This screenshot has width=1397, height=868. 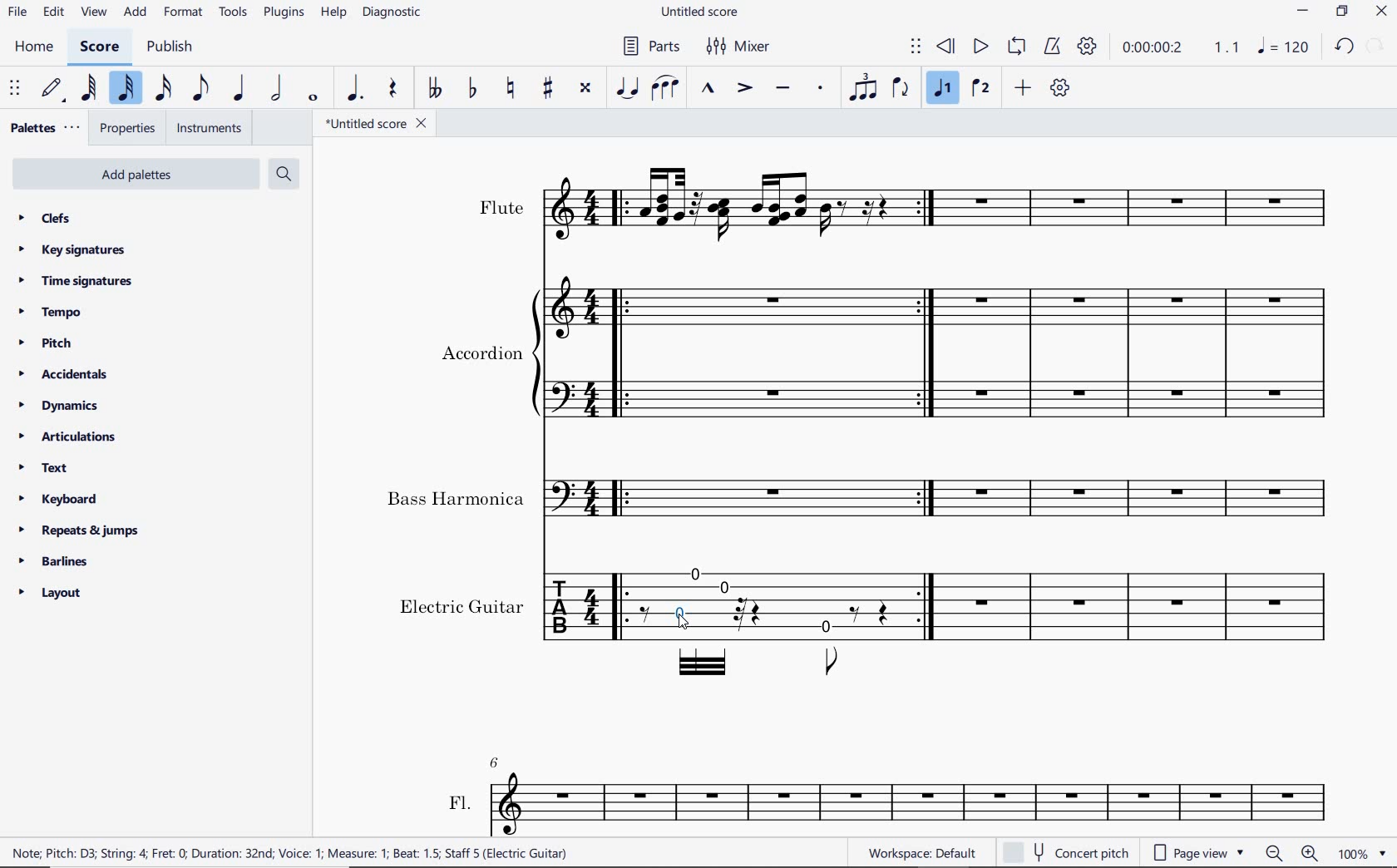 I want to click on slur, so click(x=667, y=89).